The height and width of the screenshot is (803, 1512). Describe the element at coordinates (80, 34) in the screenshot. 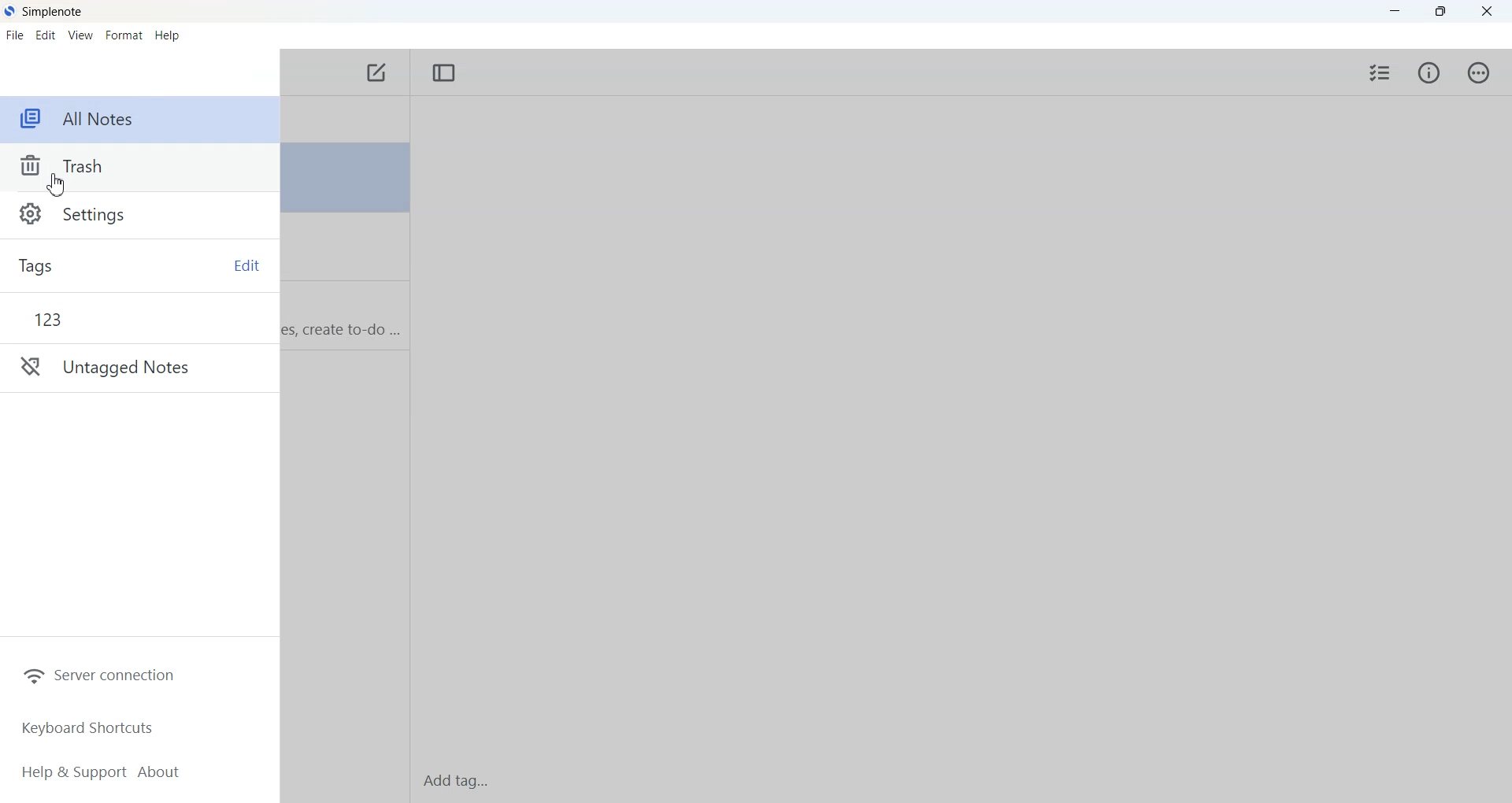

I see `View` at that location.